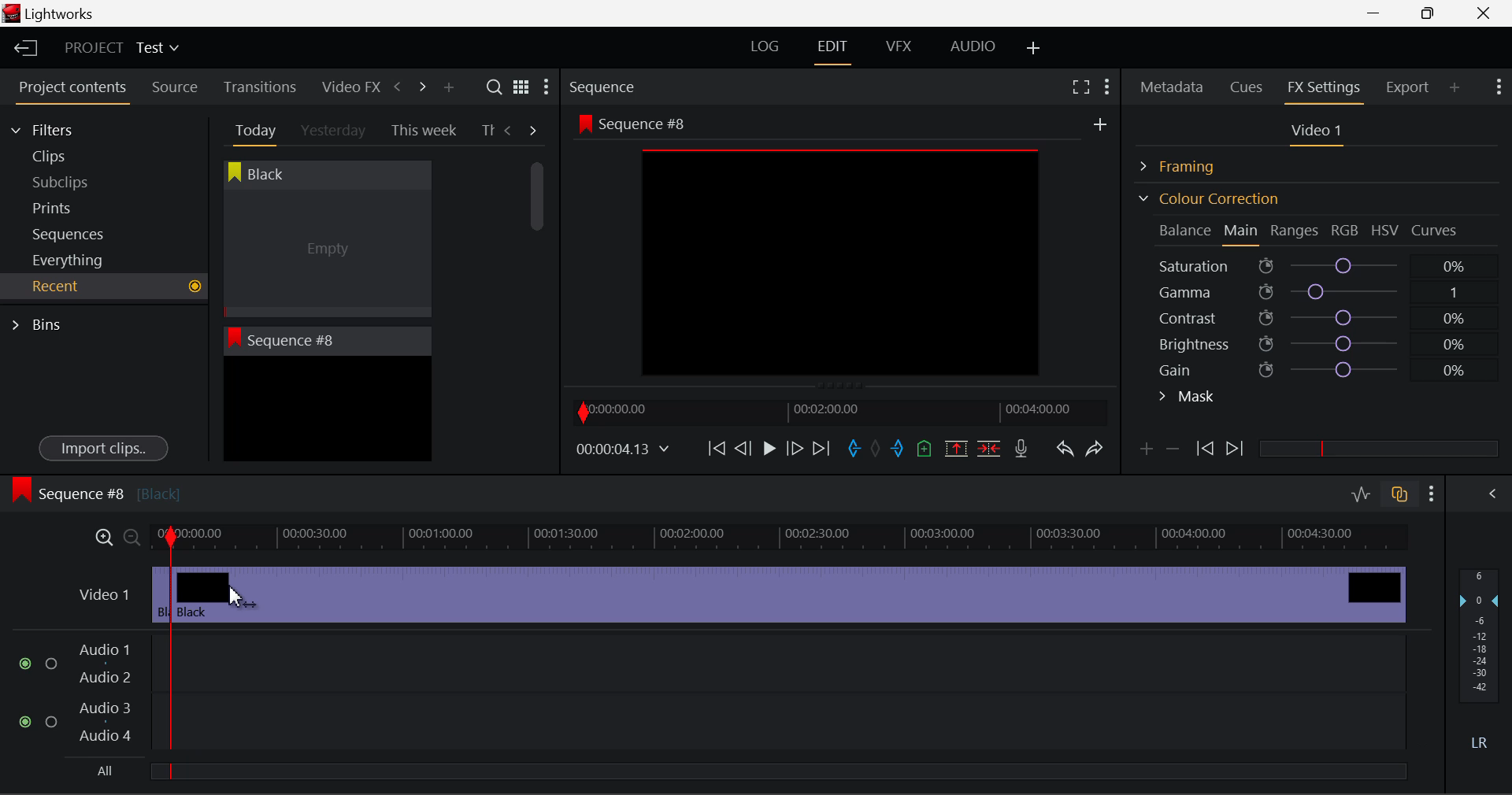 The image size is (1512, 795). Describe the element at coordinates (1410, 87) in the screenshot. I see `Export Panel` at that location.